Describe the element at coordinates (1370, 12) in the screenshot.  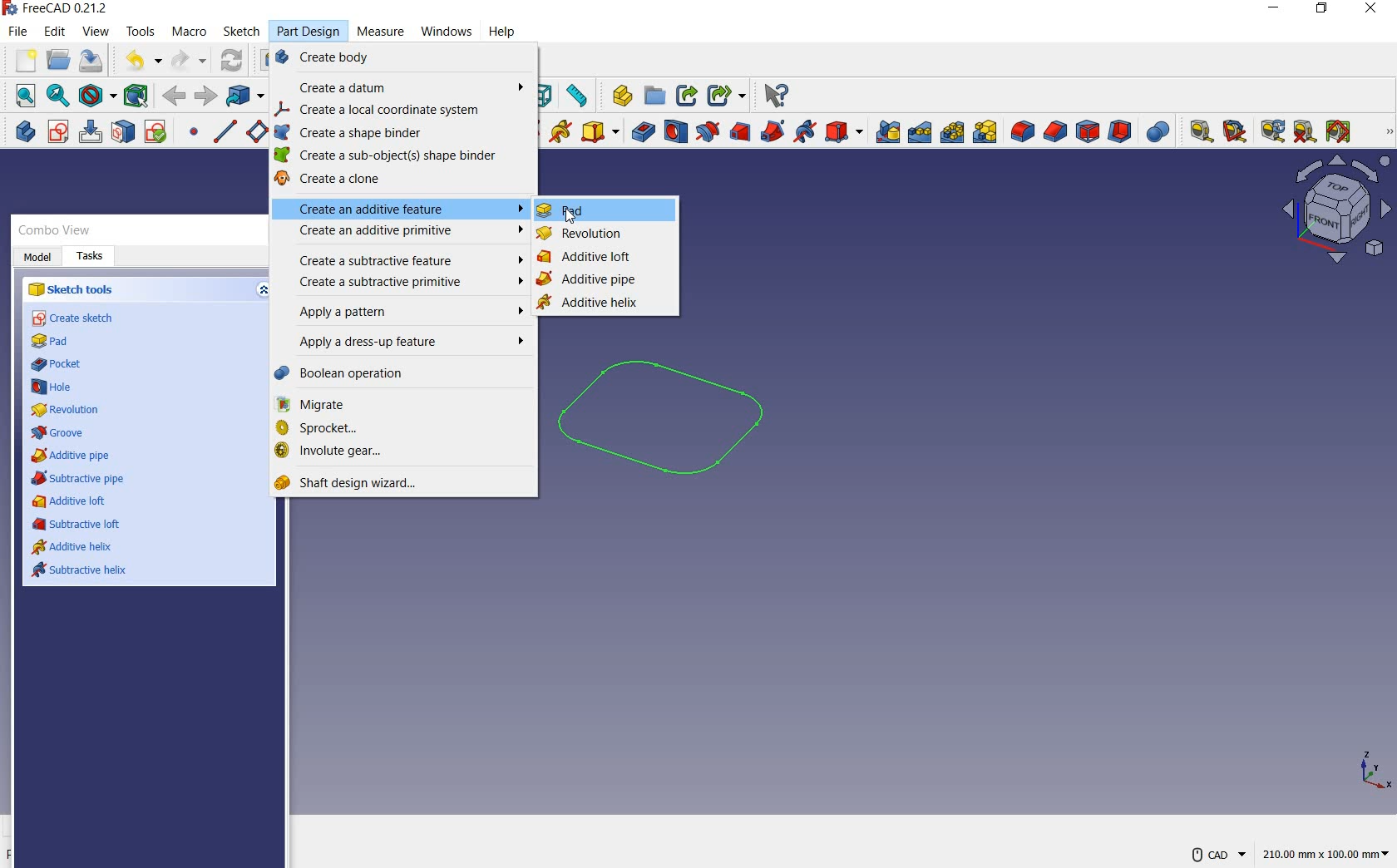
I see `close` at that location.